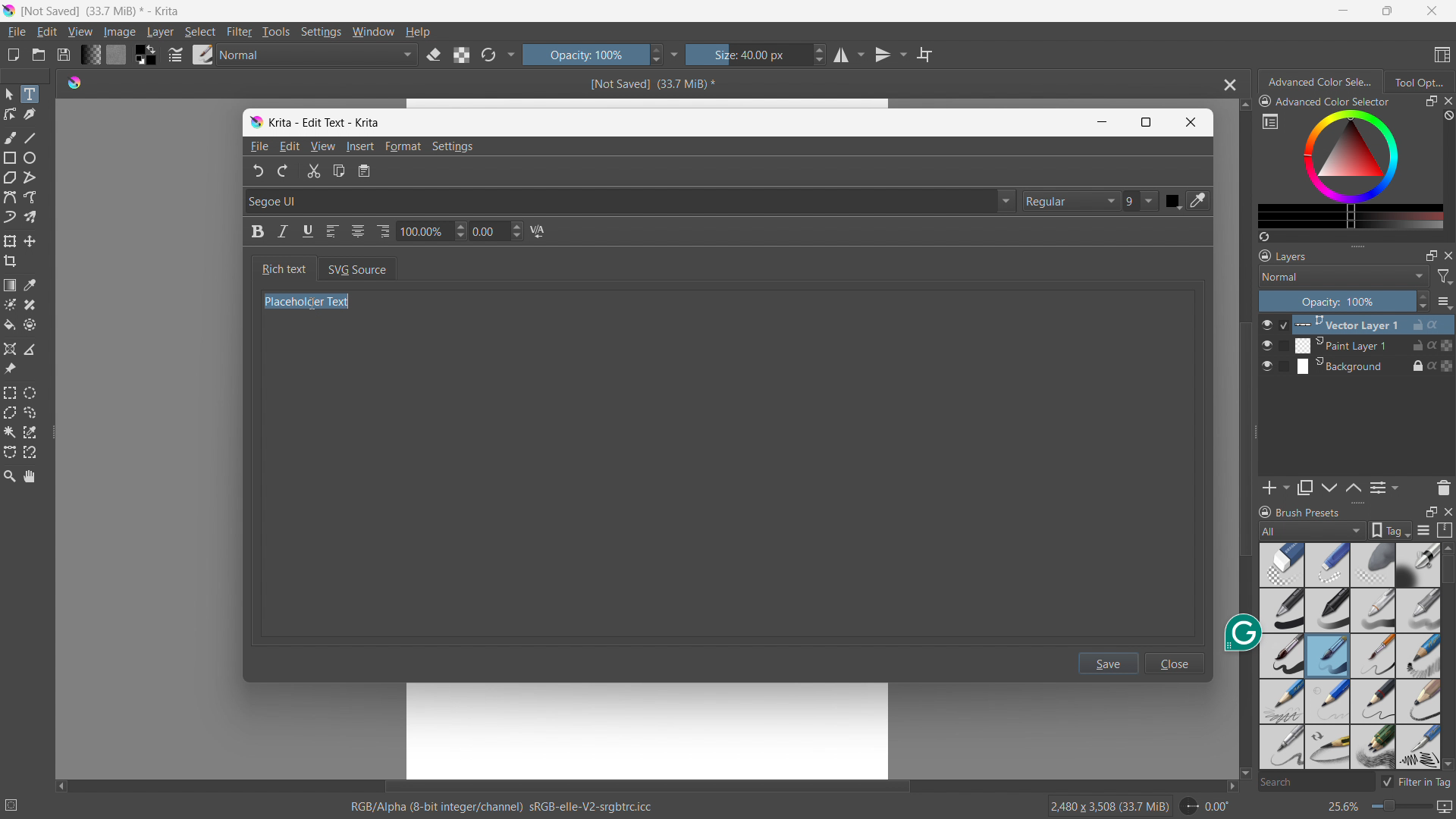 Image resolution: width=1456 pixels, height=819 pixels. I want to click on search, so click(1314, 783).